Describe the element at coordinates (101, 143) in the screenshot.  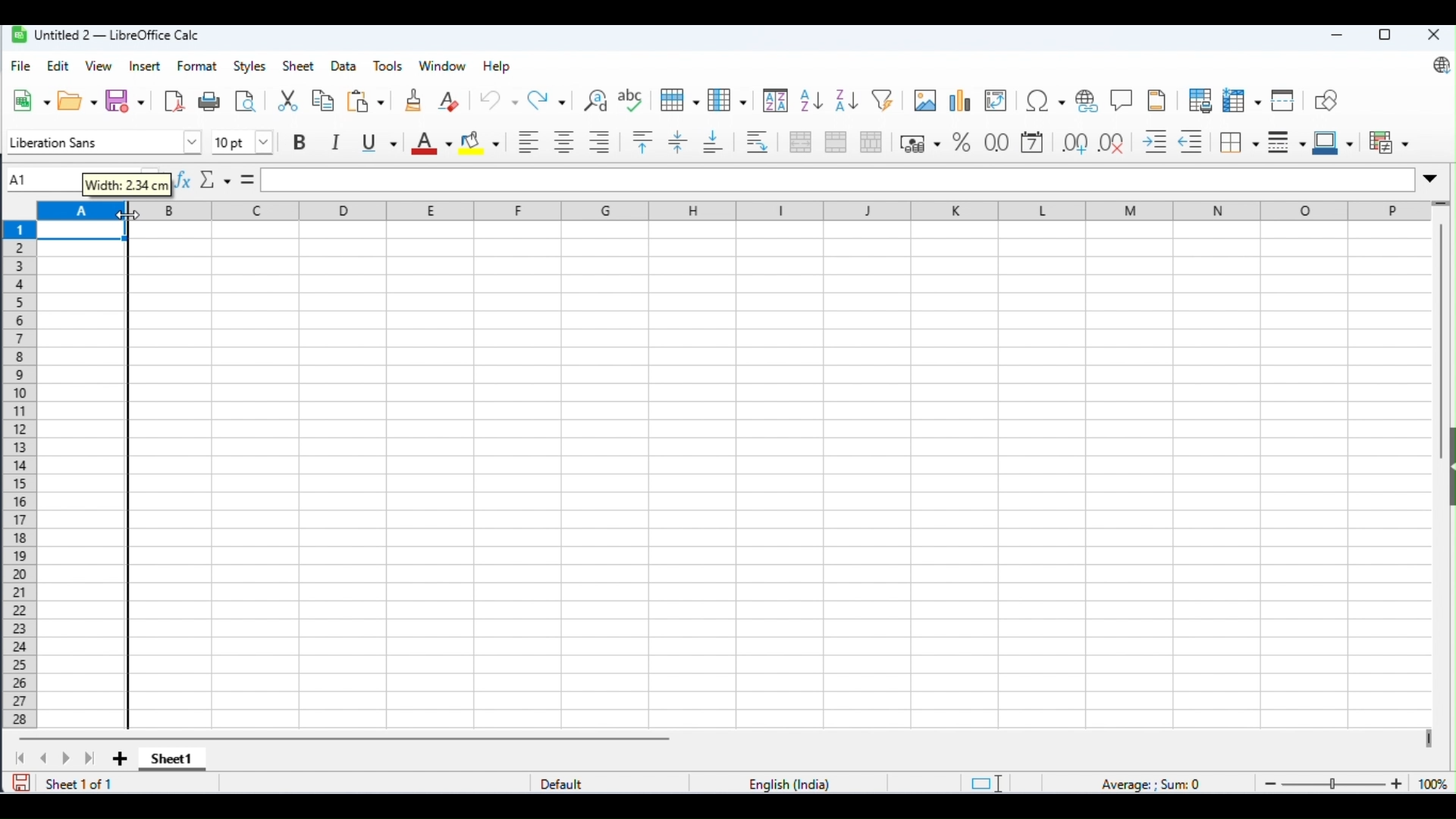
I see `font style` at that location.